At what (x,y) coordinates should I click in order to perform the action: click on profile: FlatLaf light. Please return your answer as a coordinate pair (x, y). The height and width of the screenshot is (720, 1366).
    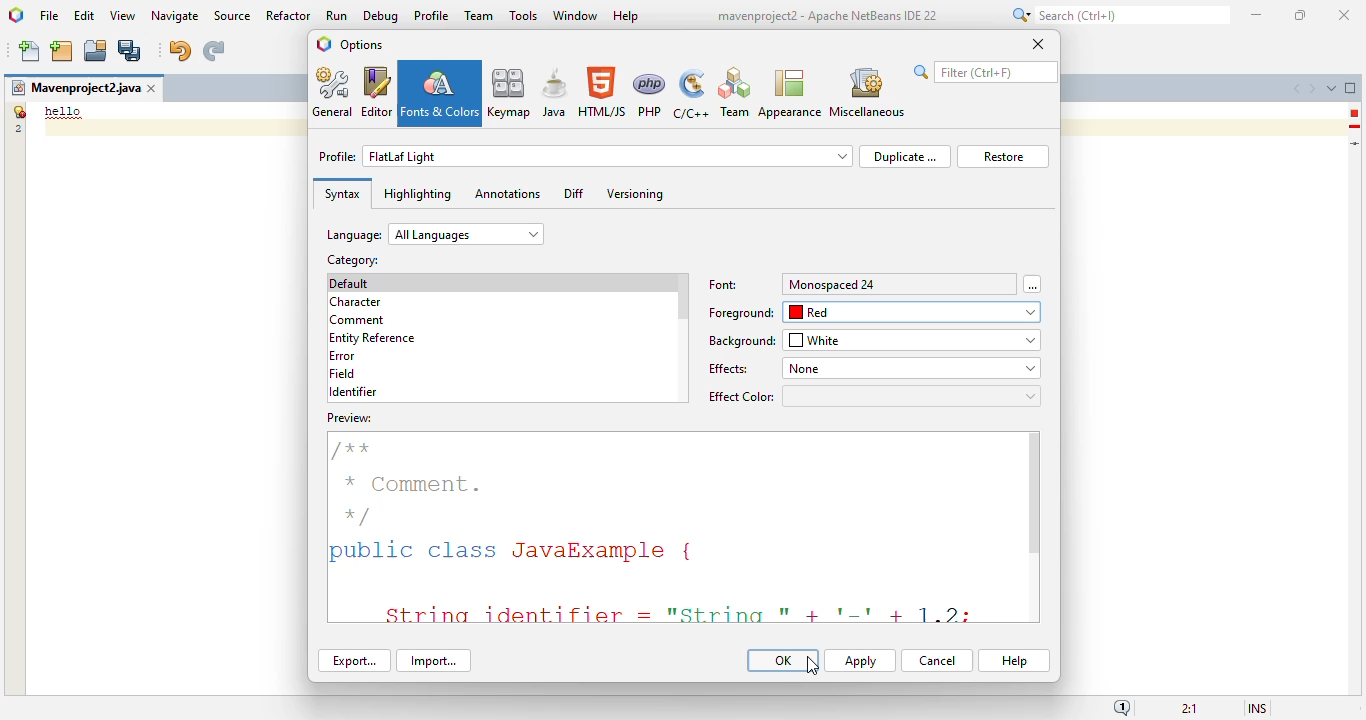
    Looking at the image, I should click on (585, 156).